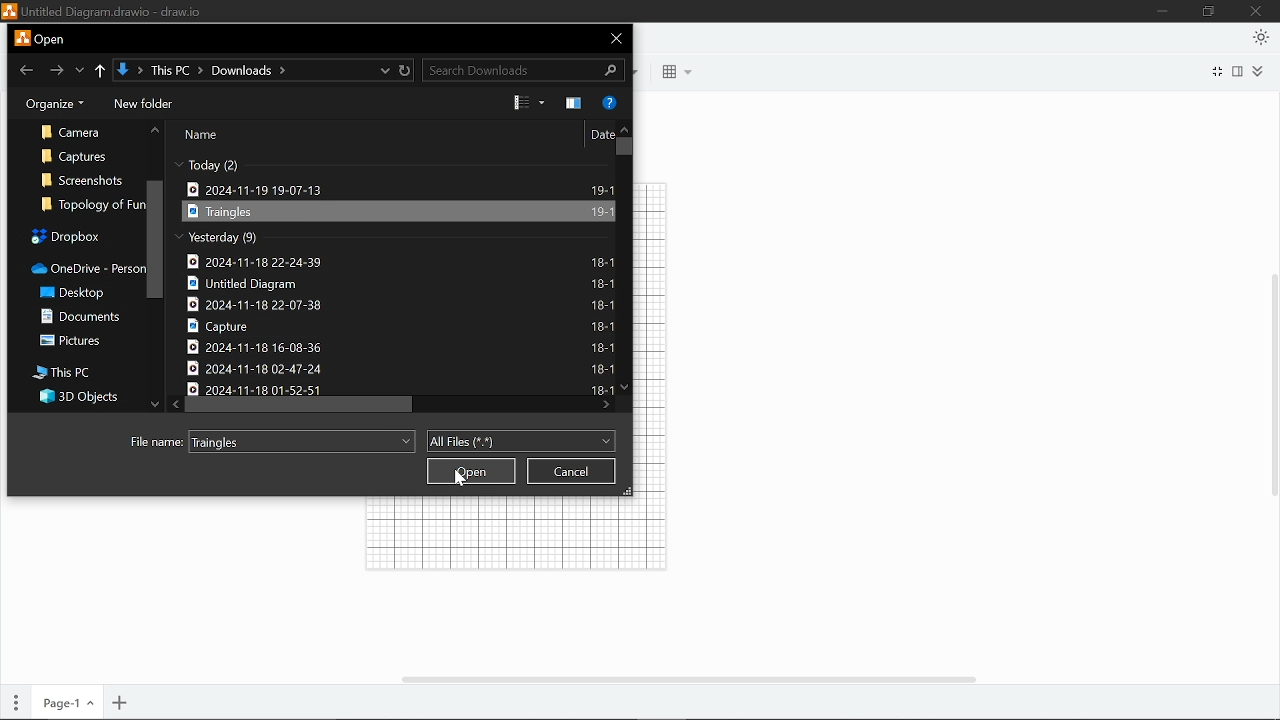  What do you see at coordinates (400, 367) in the screenshot?
I see `2024-11-18 02-47-24 18-` at bounding box center [400, 367].